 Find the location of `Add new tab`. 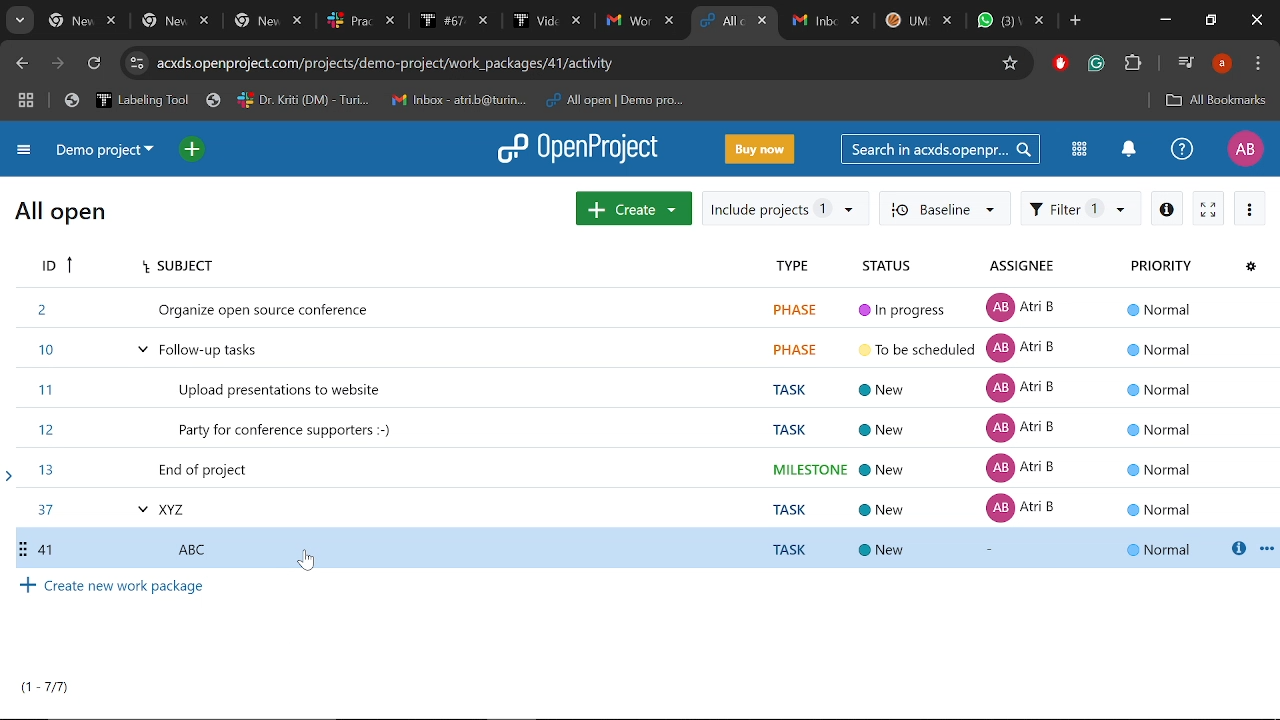

Add new tab is located at coordinates (1075, 22).